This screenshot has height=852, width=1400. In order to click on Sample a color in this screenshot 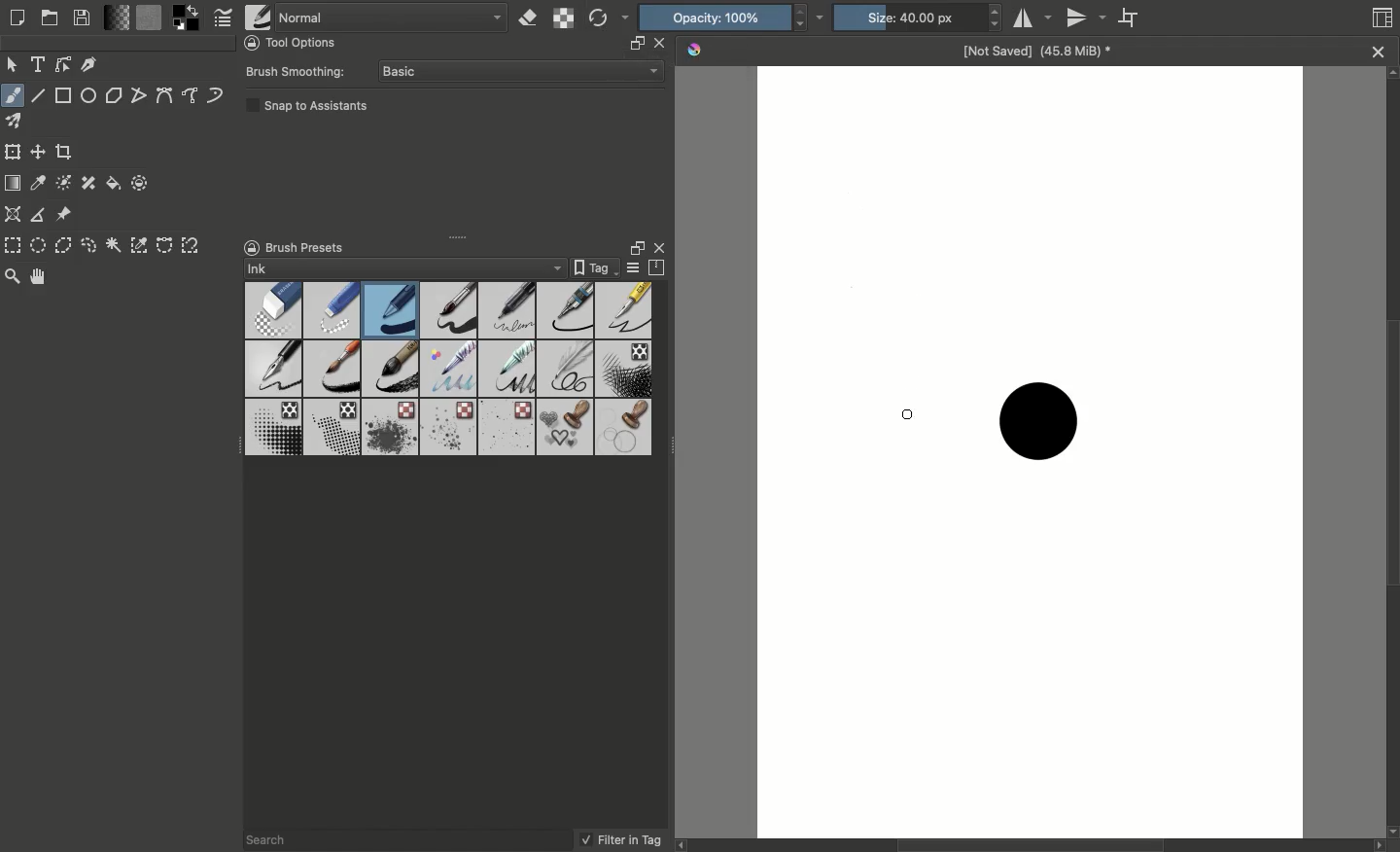, I will do `click(40, 183)`.